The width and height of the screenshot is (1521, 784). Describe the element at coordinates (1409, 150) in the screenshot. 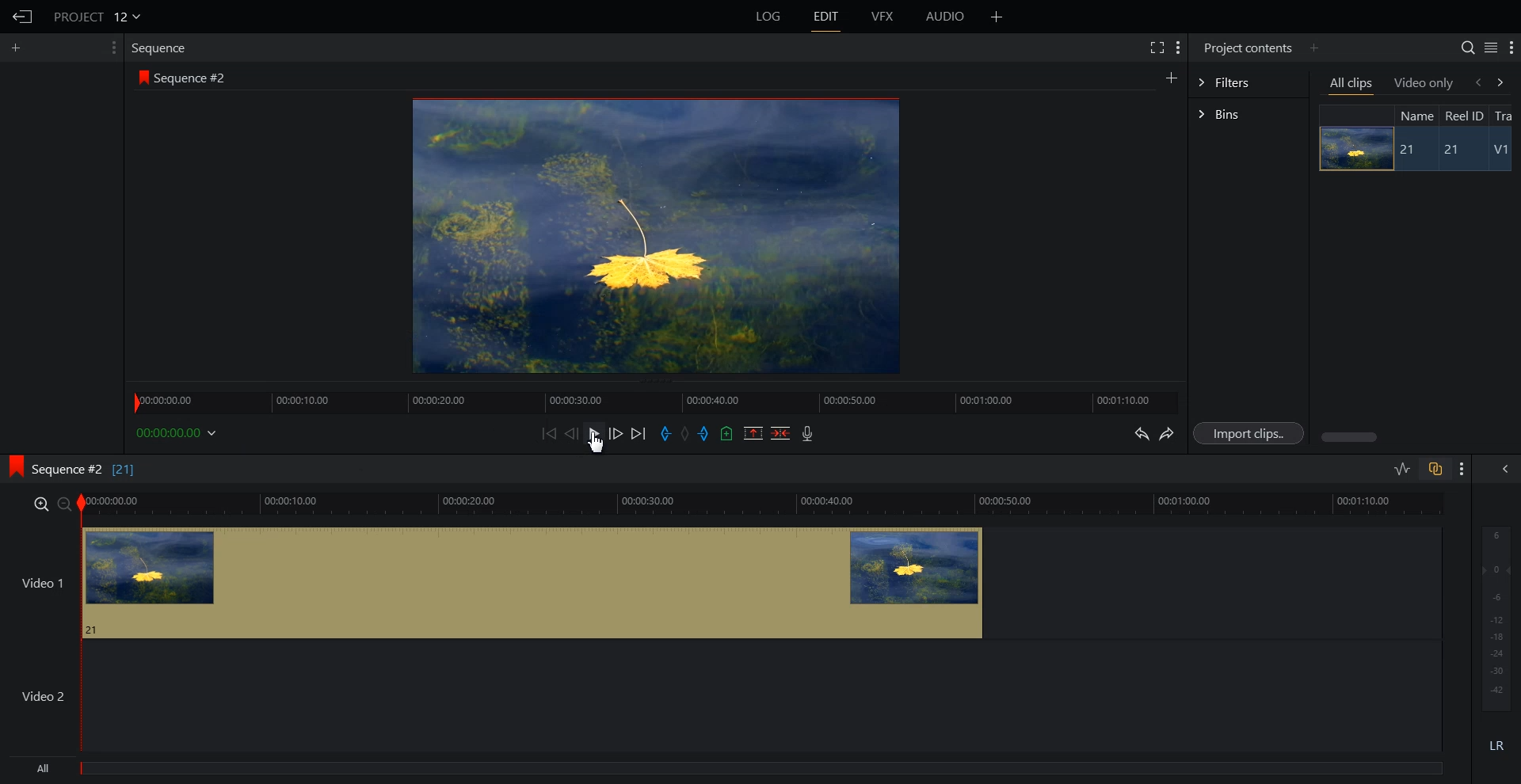

I see `21` at that location.